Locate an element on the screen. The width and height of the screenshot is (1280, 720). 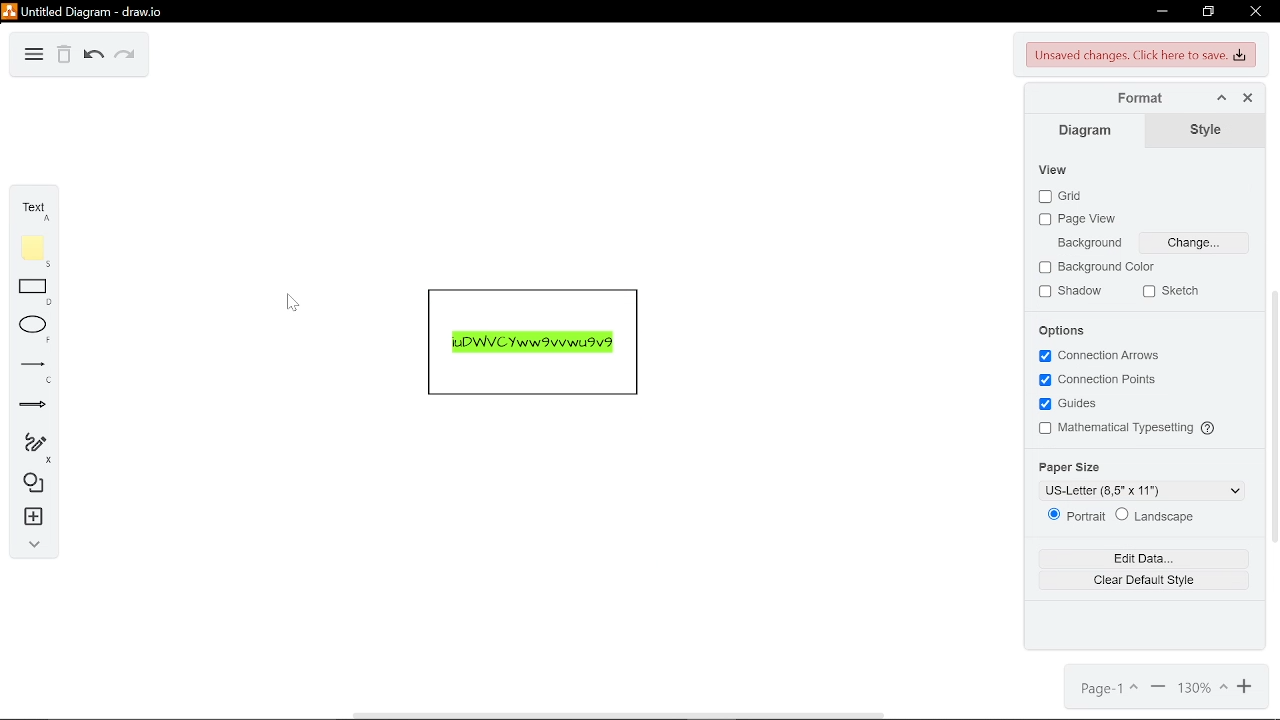
connection arrows is located at coordinates (1098, 355).